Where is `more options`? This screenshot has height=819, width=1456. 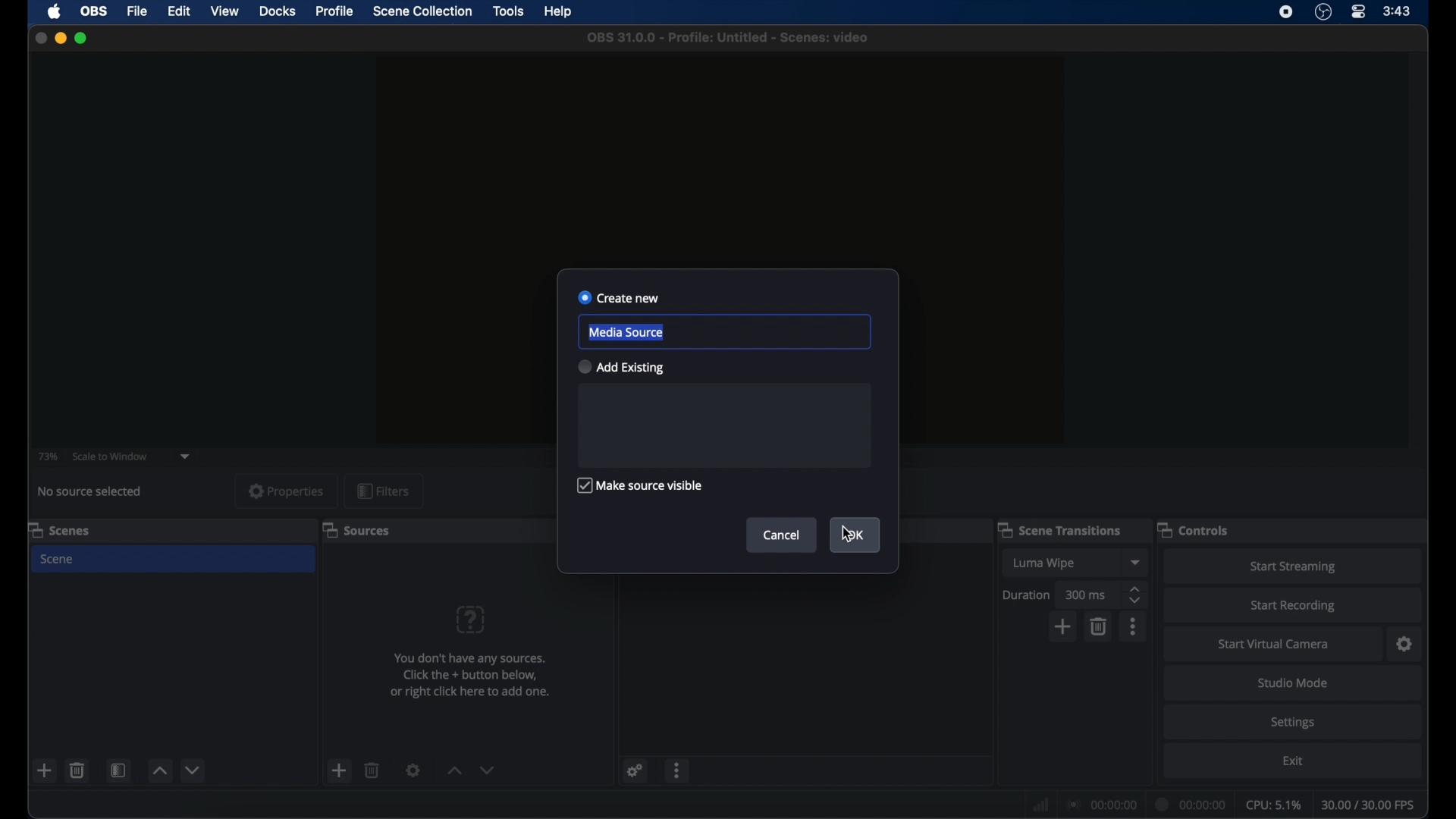 more options is located at coordinates (1134, 626).